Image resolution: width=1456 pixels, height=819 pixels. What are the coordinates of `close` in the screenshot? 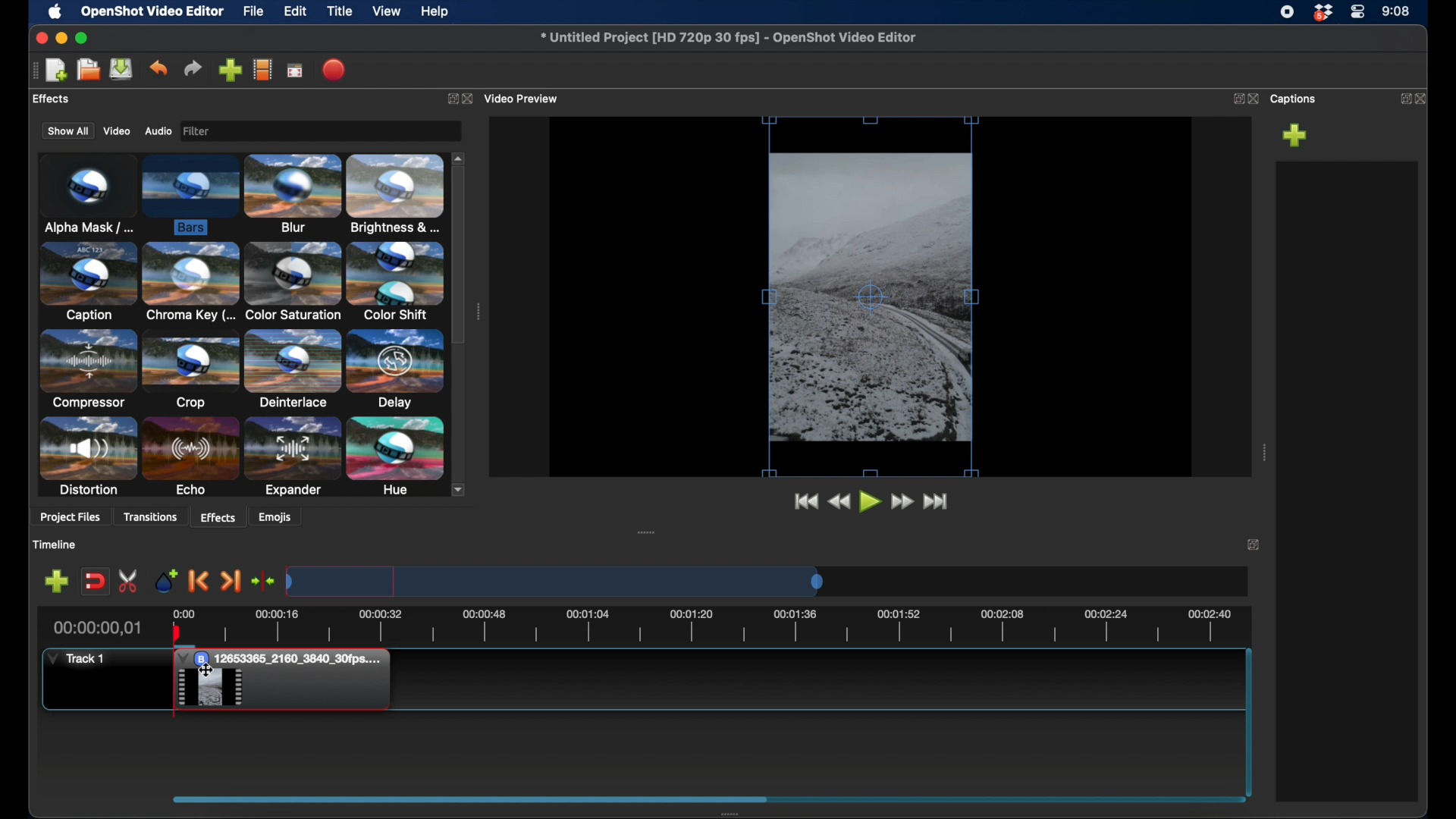 It's located at (1254, 99).